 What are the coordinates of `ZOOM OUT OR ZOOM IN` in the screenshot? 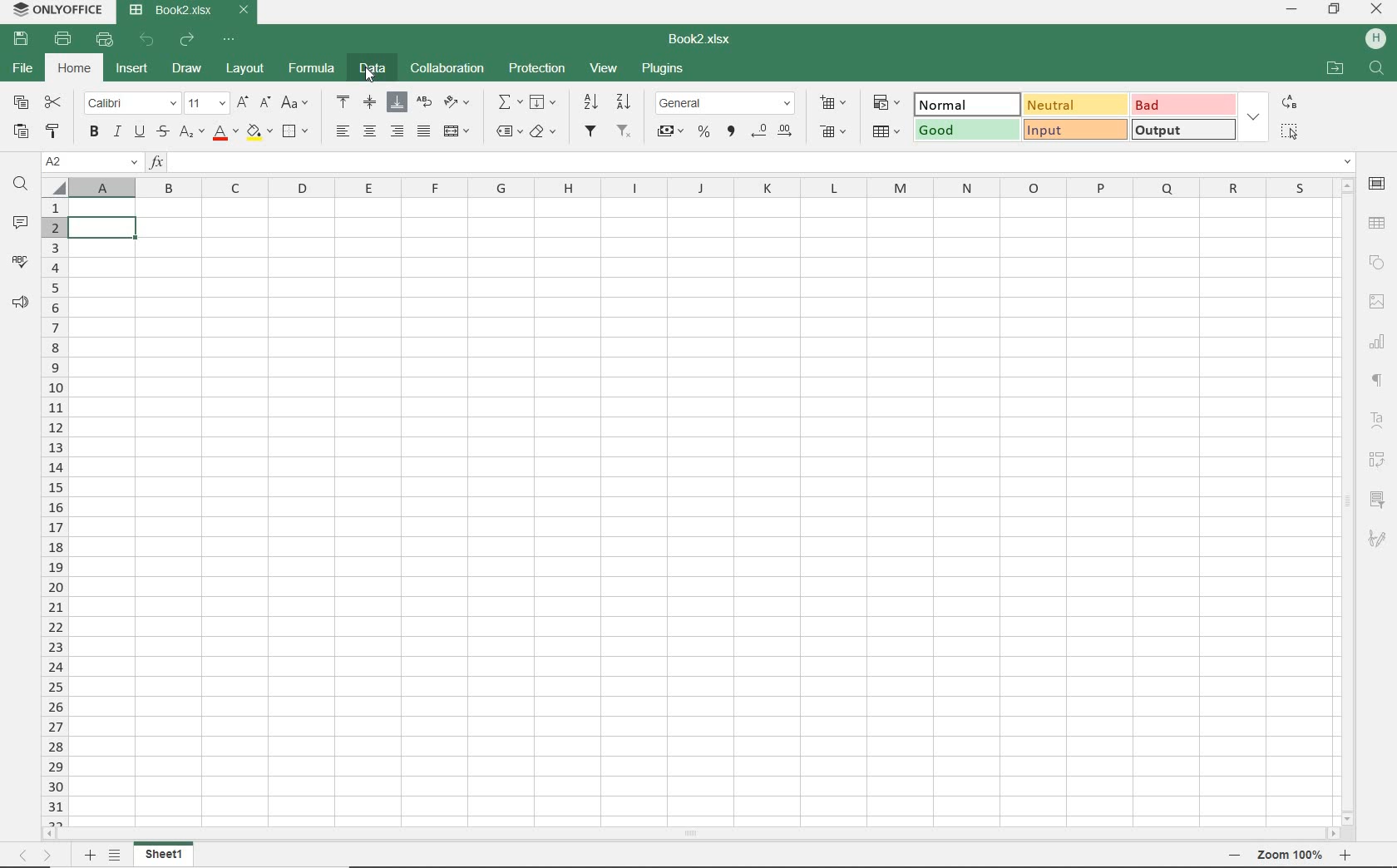 It's located at (1285, 856).